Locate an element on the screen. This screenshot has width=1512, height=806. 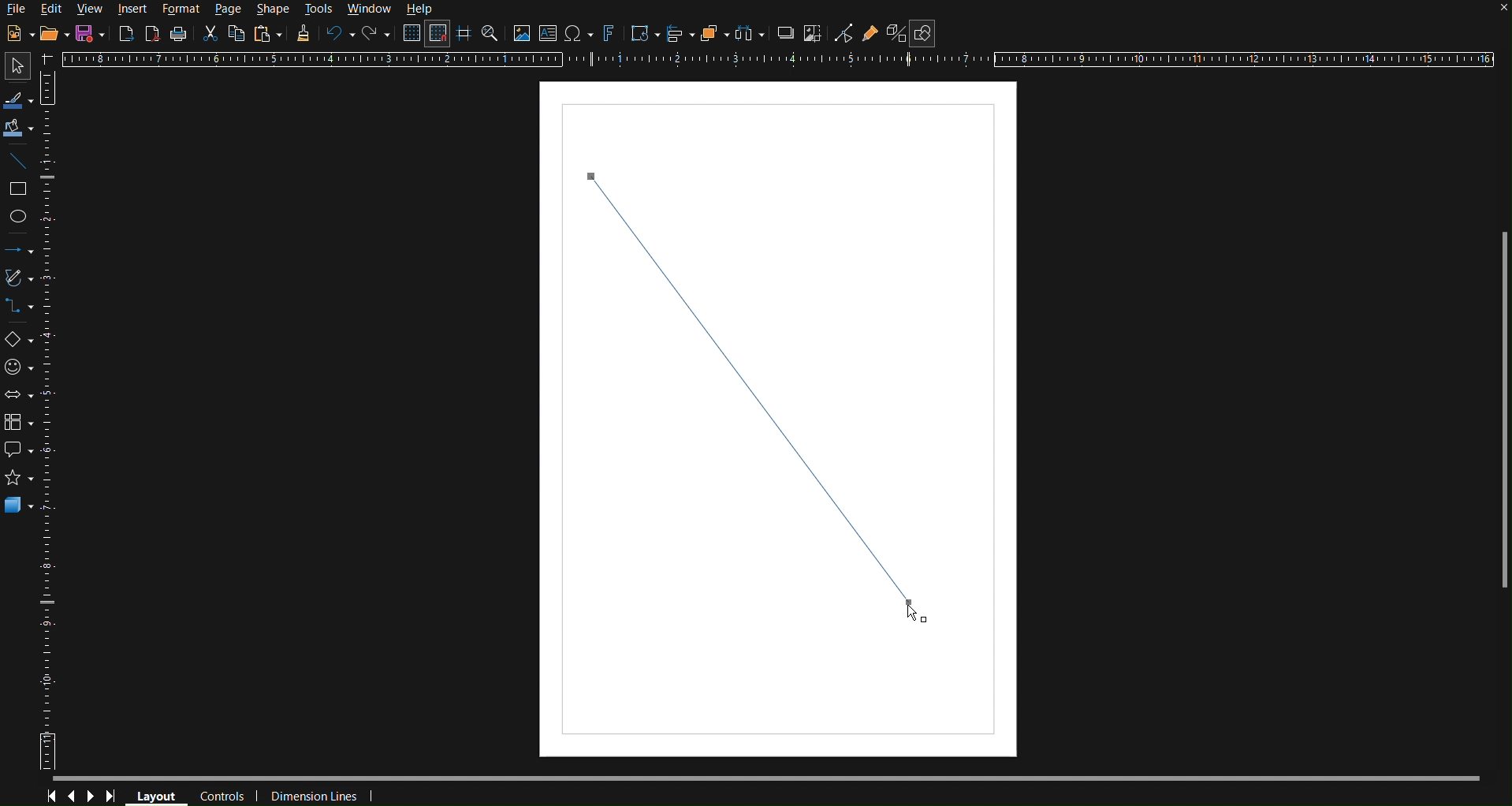
Insert special characters is located at coordinates (579, 34).